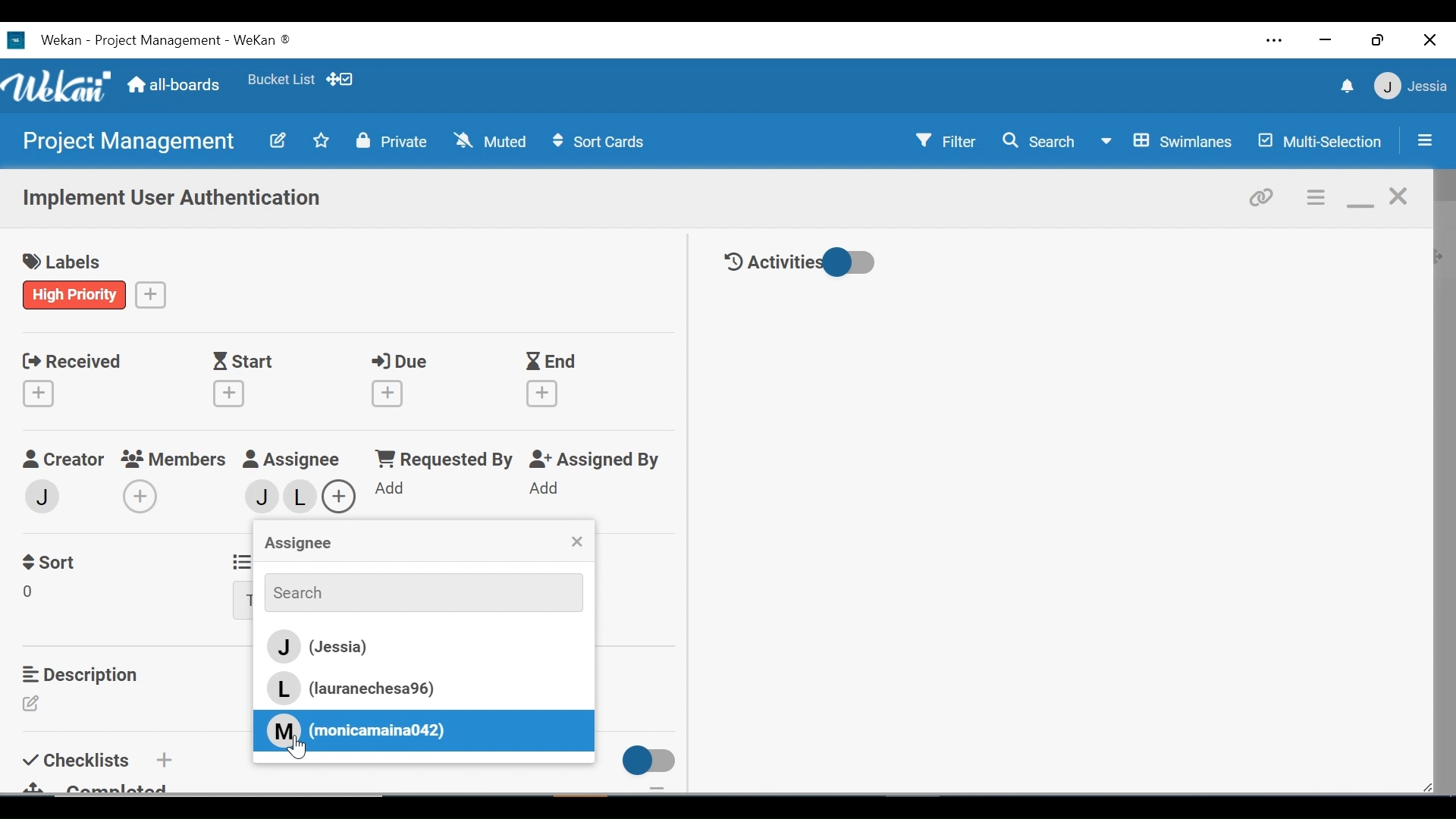  What do you see at coordinates (239, 560) in the screenshot?
I see `List` at bounding box center [239, 560].